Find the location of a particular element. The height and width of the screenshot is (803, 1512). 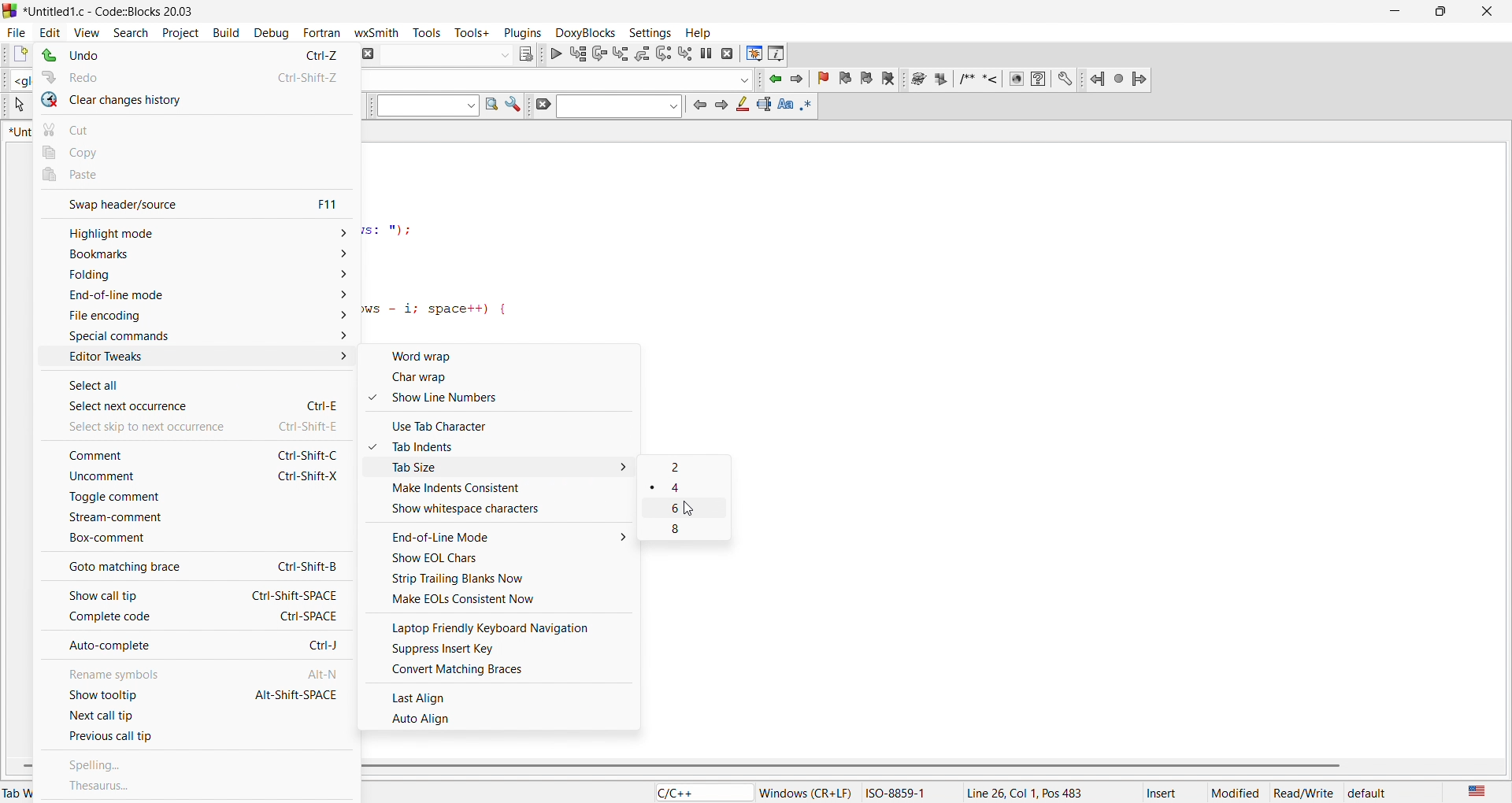

jump backward is located at coordinates (774, 81).